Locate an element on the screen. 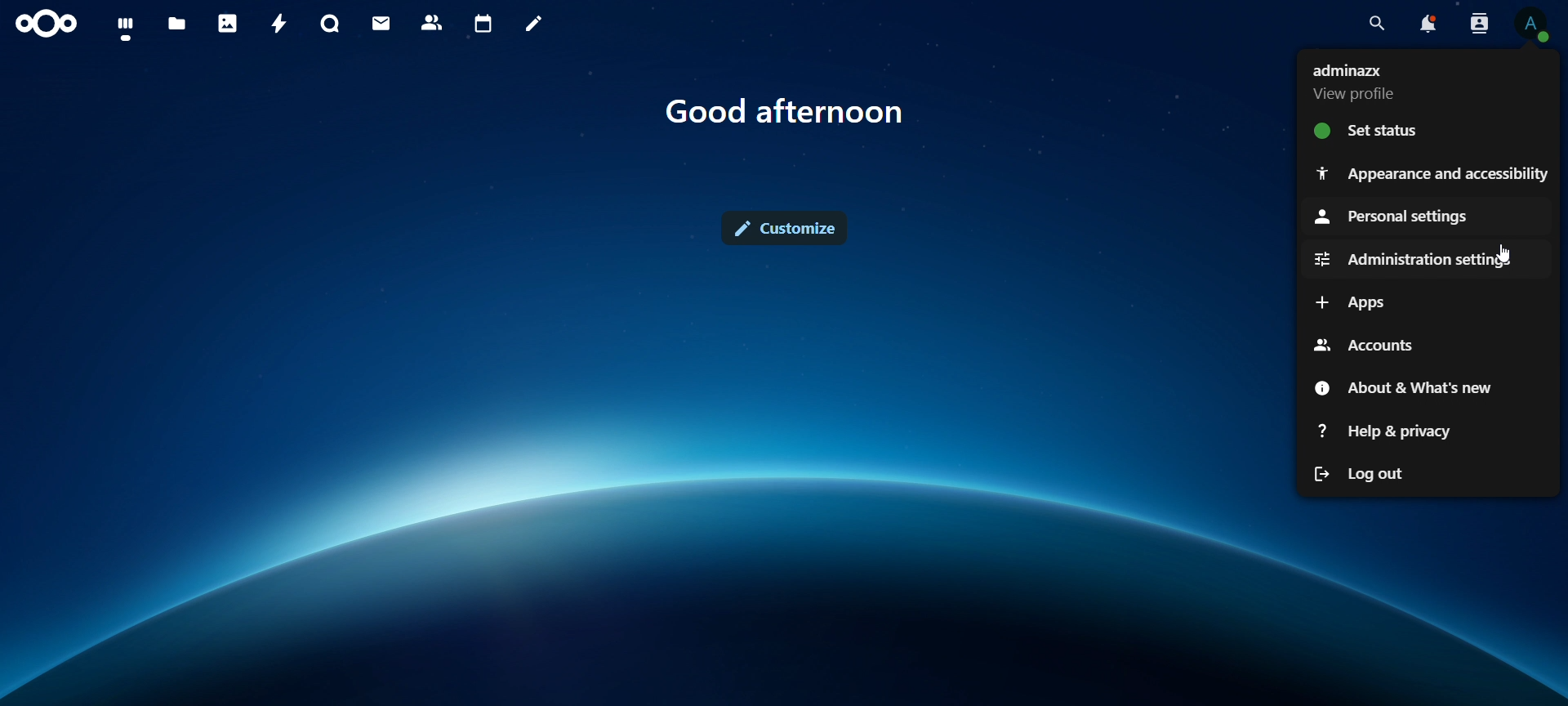  notes is located at coordinates (533, 24).